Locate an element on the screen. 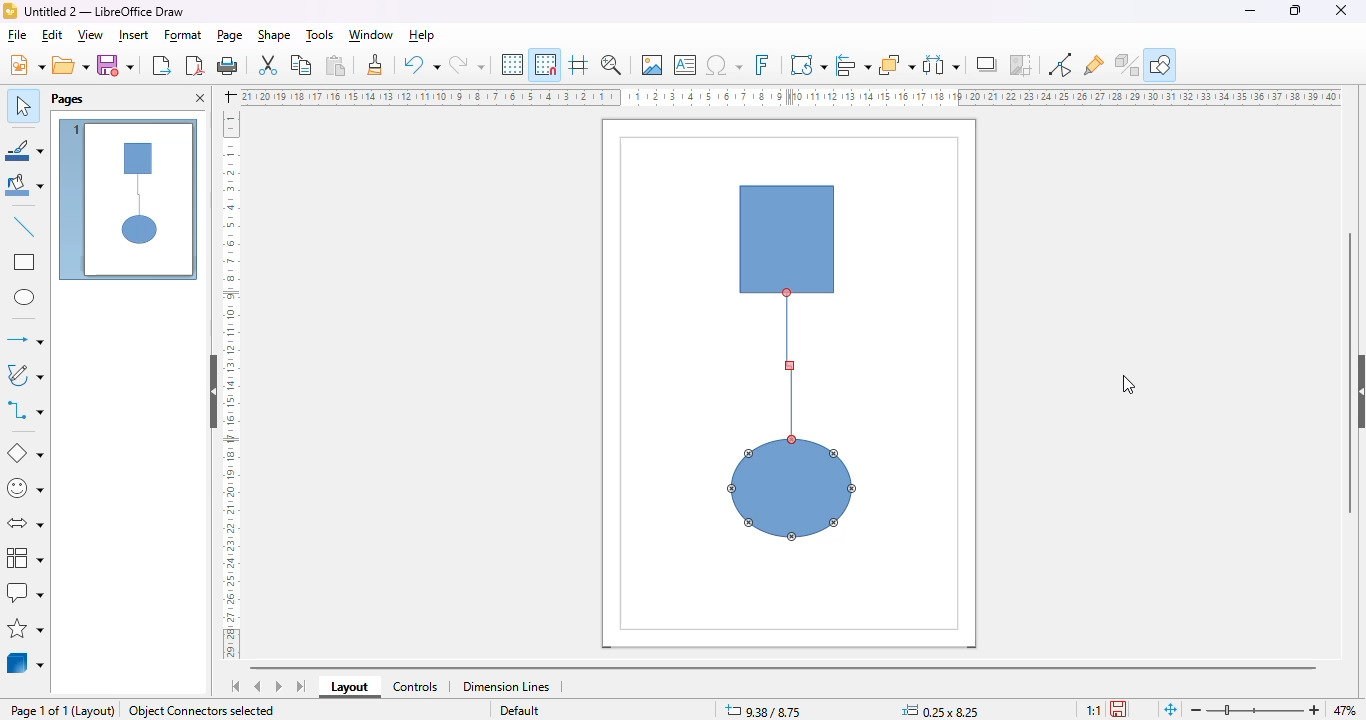 The width and height of the screenshot is (1366, 720). dimension lines is located at coordinates (506, 686).